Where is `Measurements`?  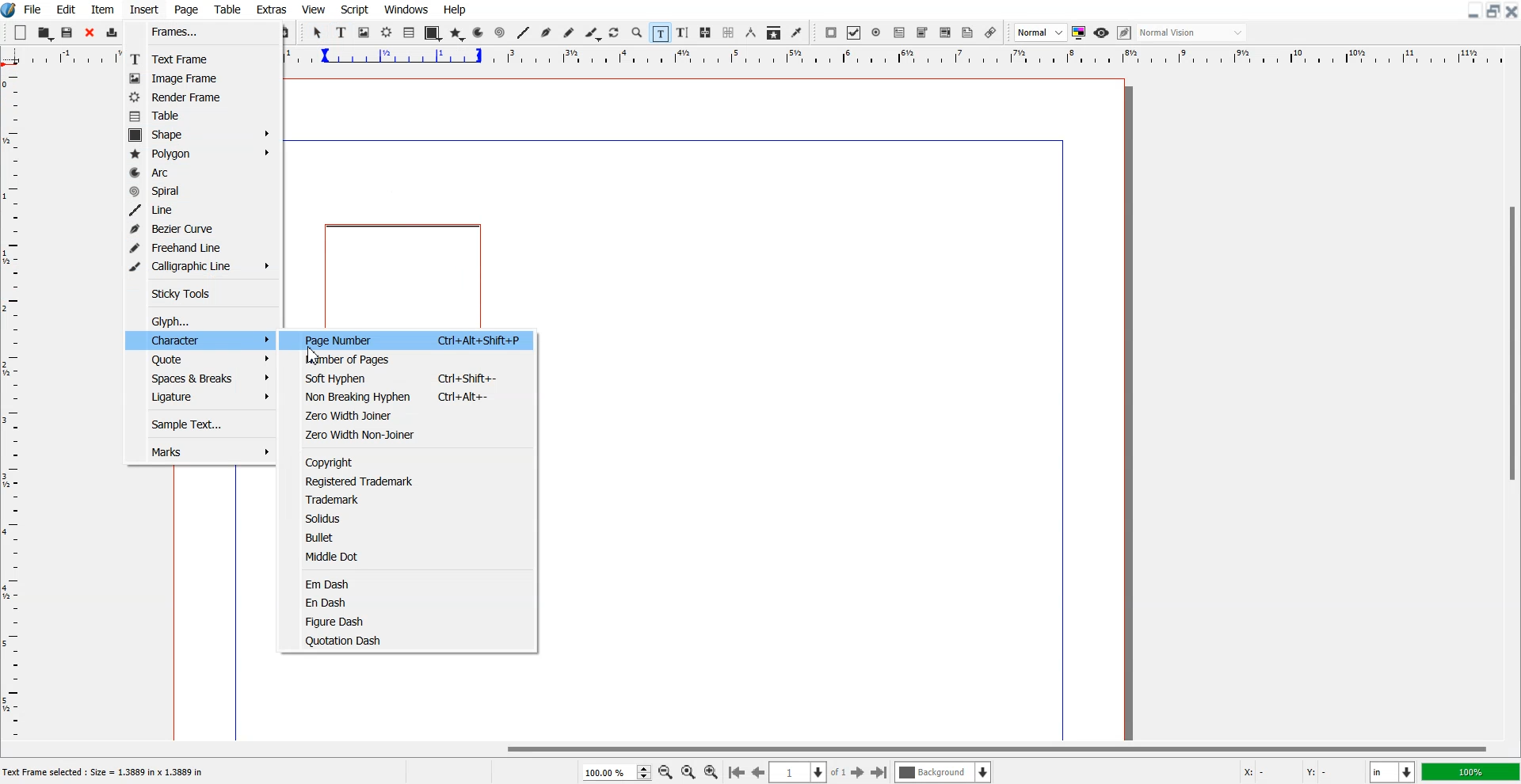
Measurements is located at coordinates (752, 32).